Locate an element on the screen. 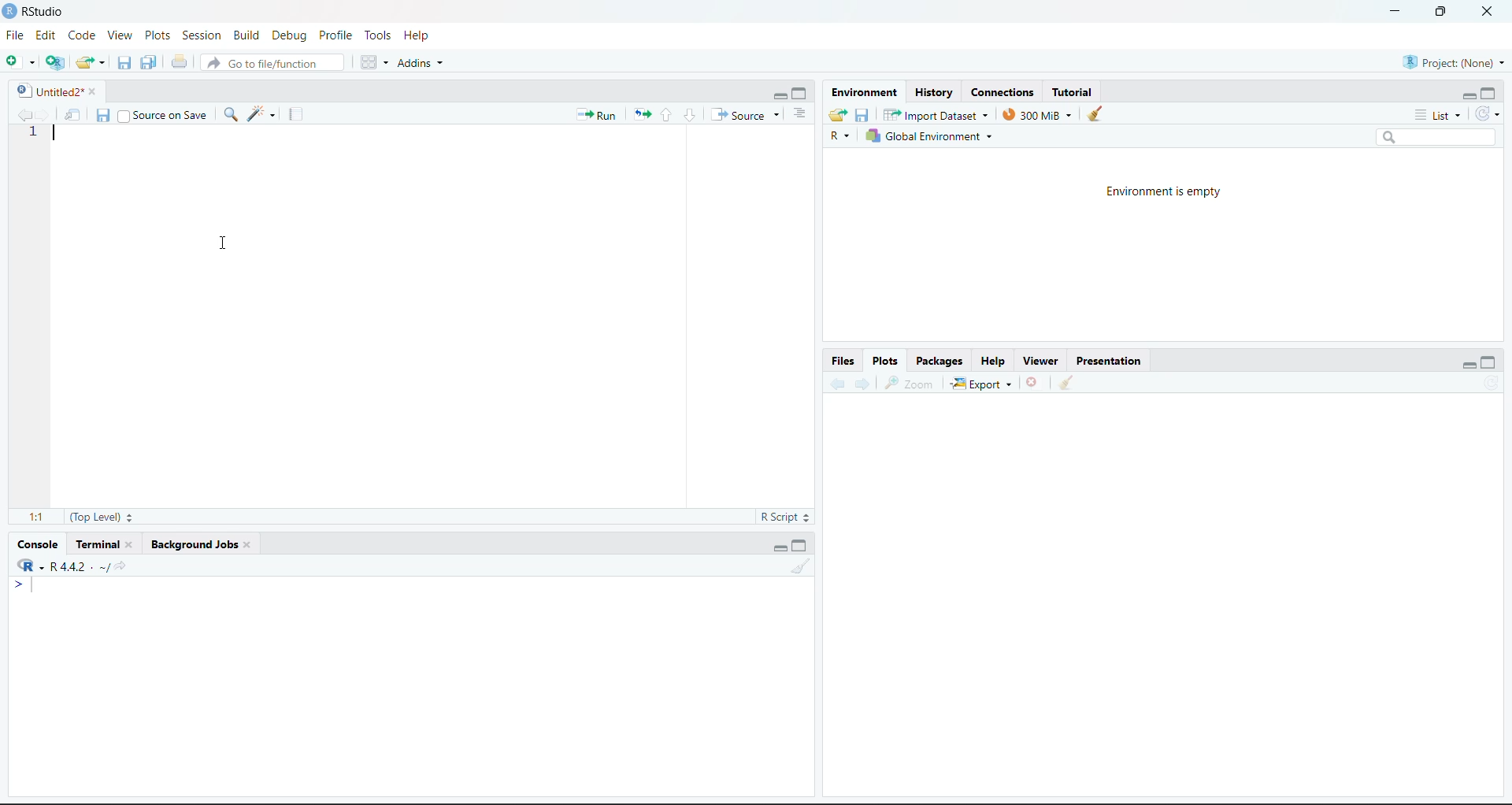 The height and width of the screenshot is (805, 1512).  Run is located at coordinates (595, 116).